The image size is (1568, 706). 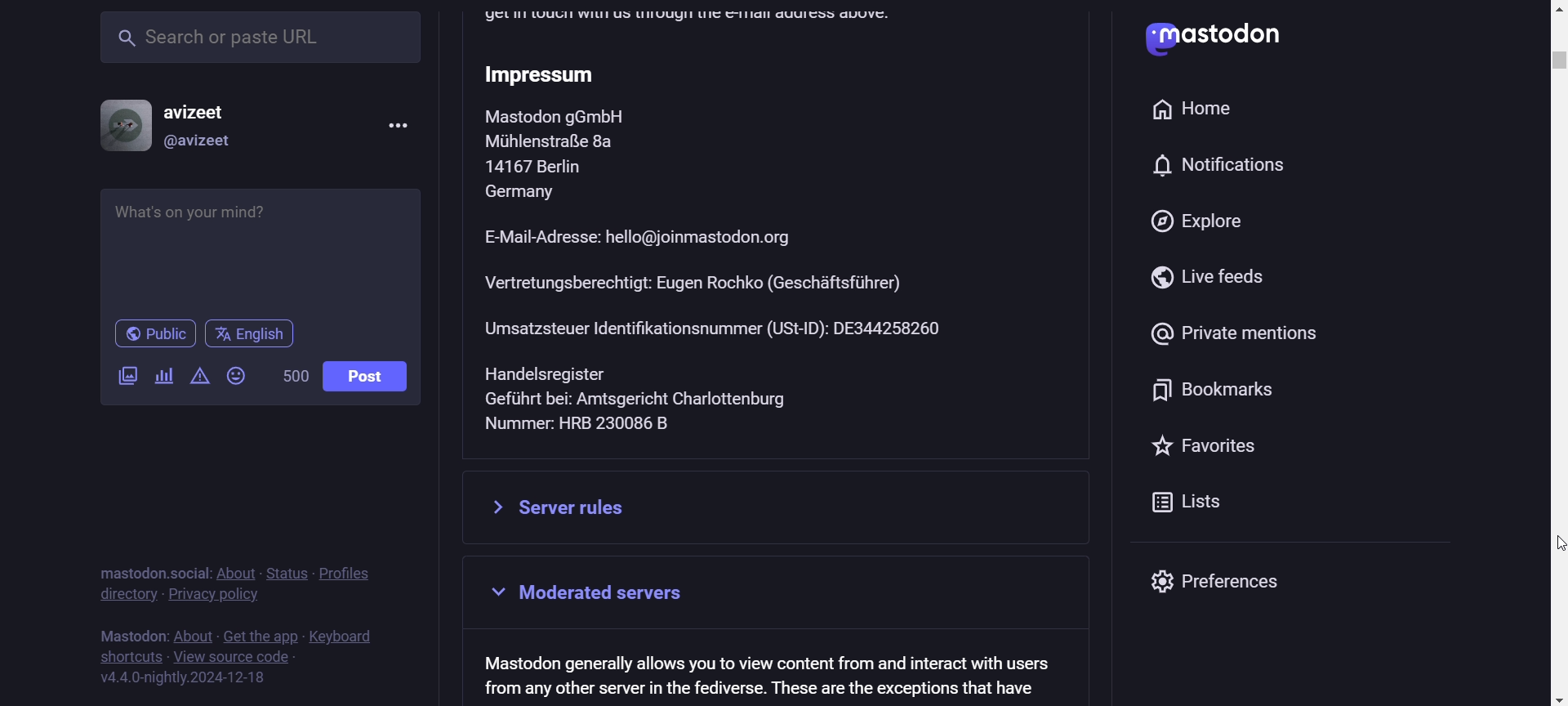 I want to click on add a poll, so click(x=161, y=377).